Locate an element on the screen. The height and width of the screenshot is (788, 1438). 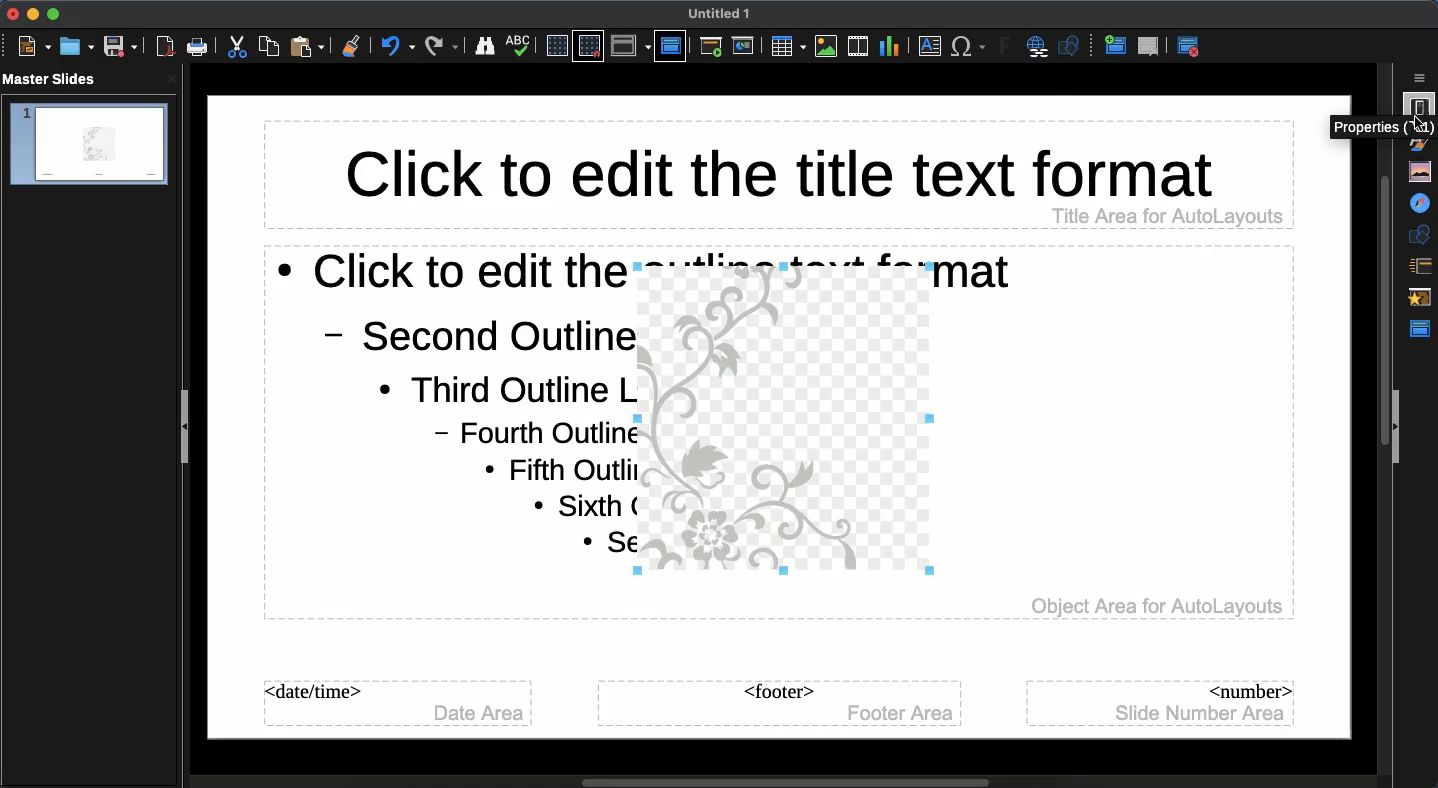
Redo is located at coordinates (442, 46).